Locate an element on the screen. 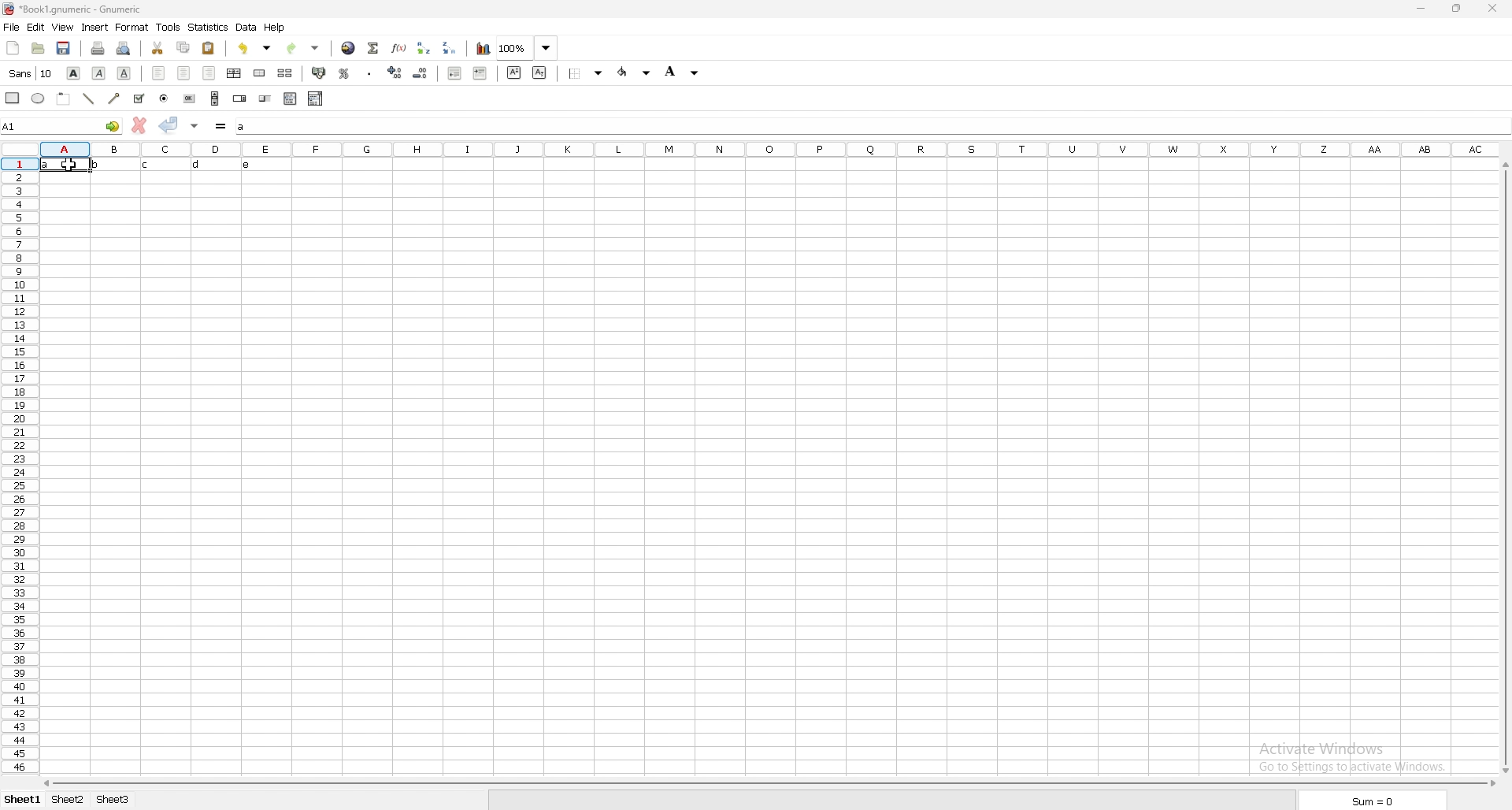 Image resolution: width=1512 pixels, height=810 pixels. subscript is located at coordinates (539, 73).